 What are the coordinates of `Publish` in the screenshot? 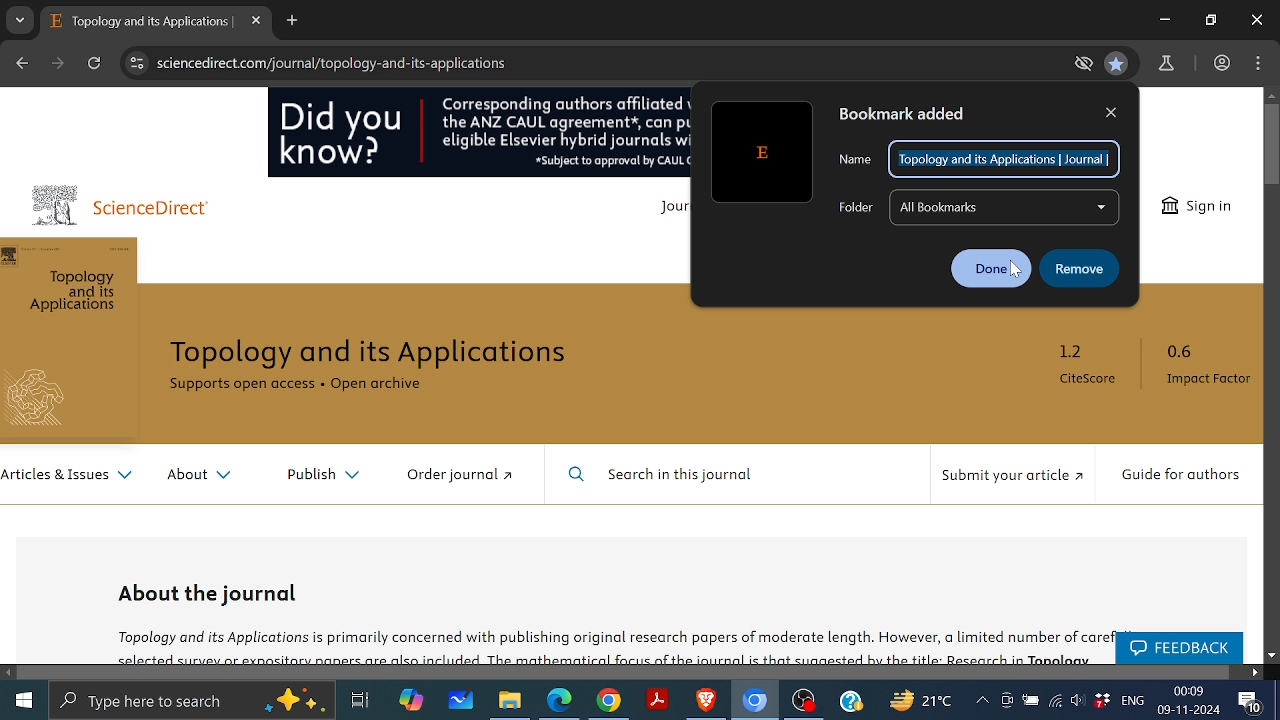 It's located at (315, 475).